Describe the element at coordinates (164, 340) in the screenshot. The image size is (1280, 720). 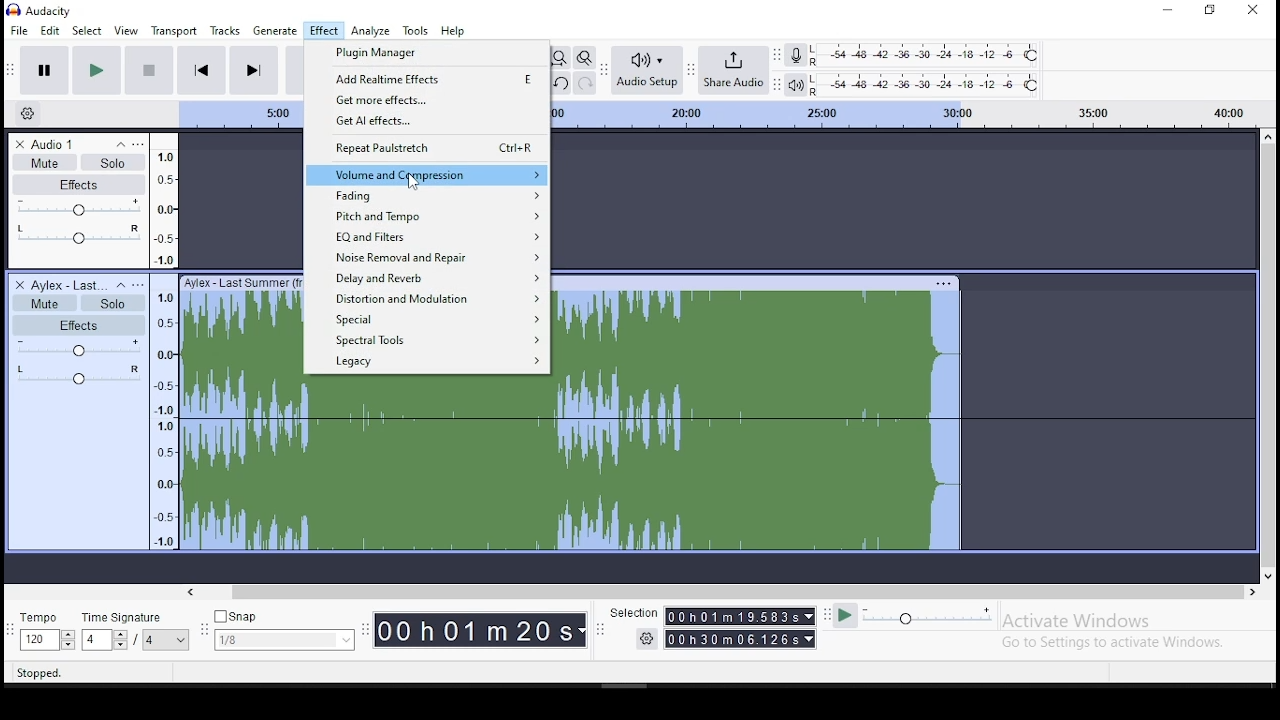
I see `scale` at that location.